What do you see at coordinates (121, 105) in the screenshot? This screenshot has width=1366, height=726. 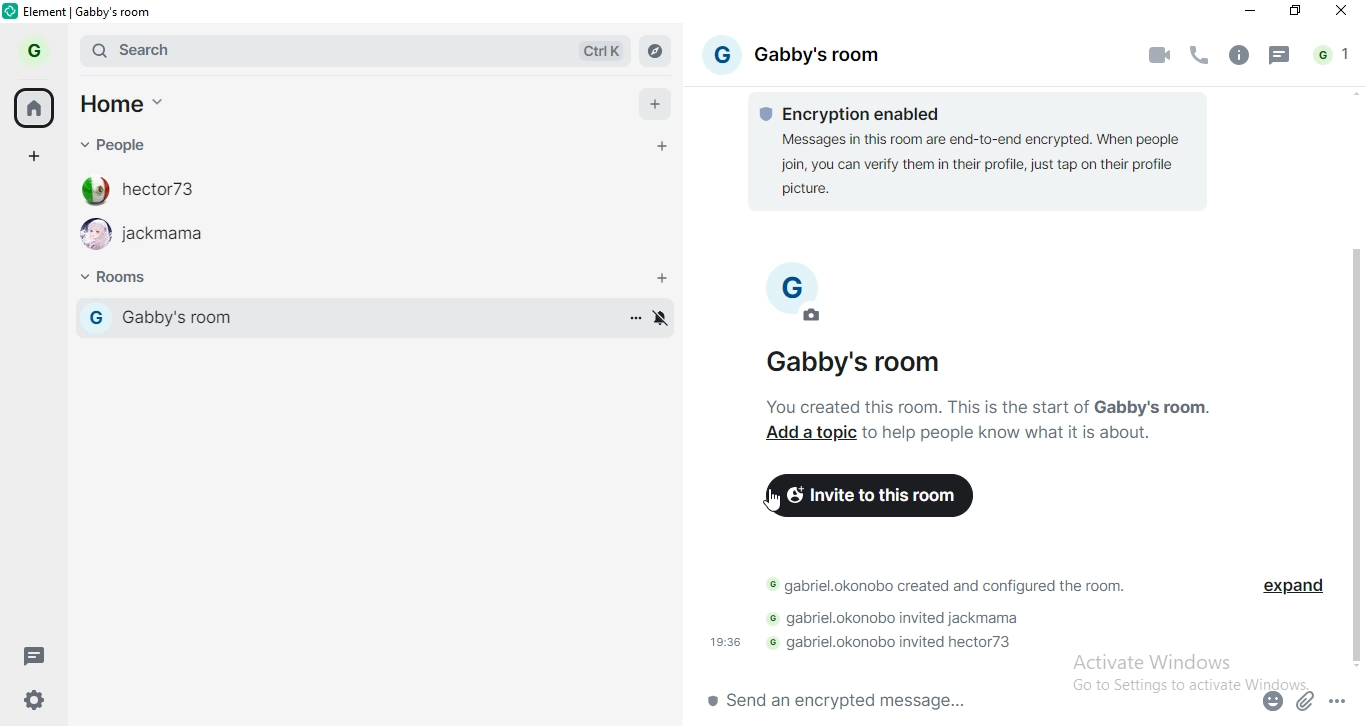 I see `home` at bounding box center [121, 105].